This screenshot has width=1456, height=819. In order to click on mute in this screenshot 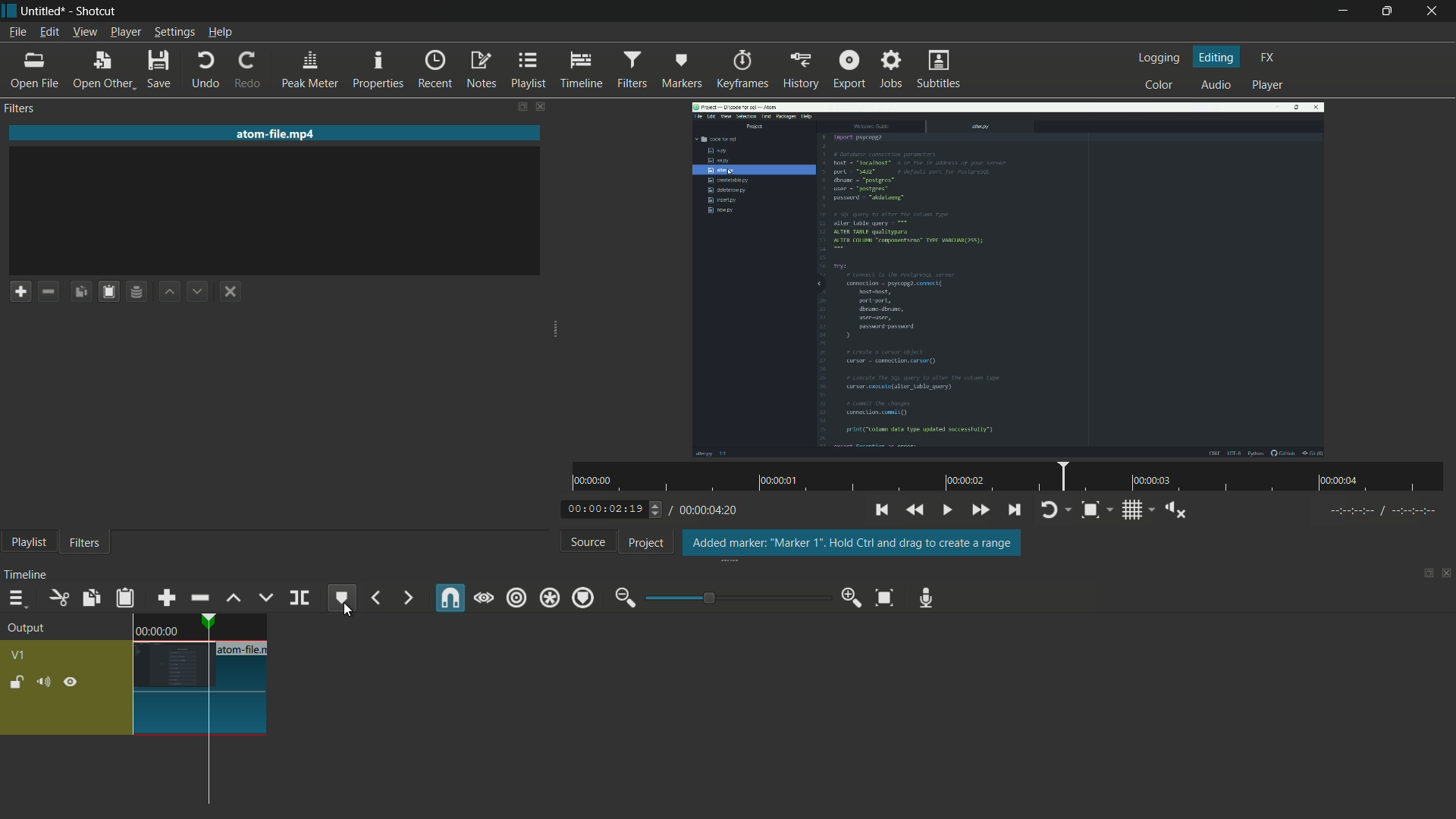, I will do `click(42, 682)`.